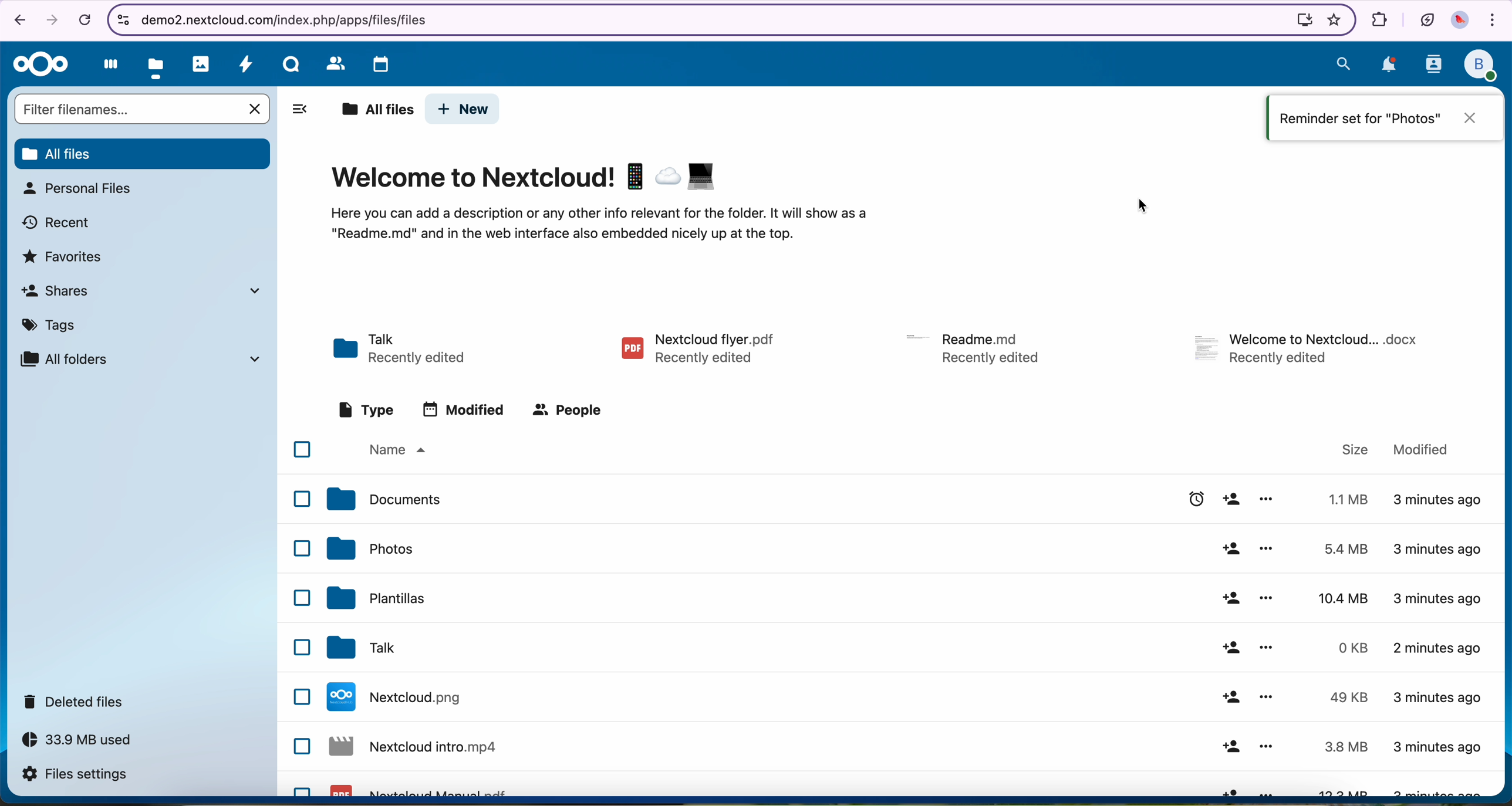  Describe the element at coordinates (374, 109) in the screenshot. I see `all files` at that location.